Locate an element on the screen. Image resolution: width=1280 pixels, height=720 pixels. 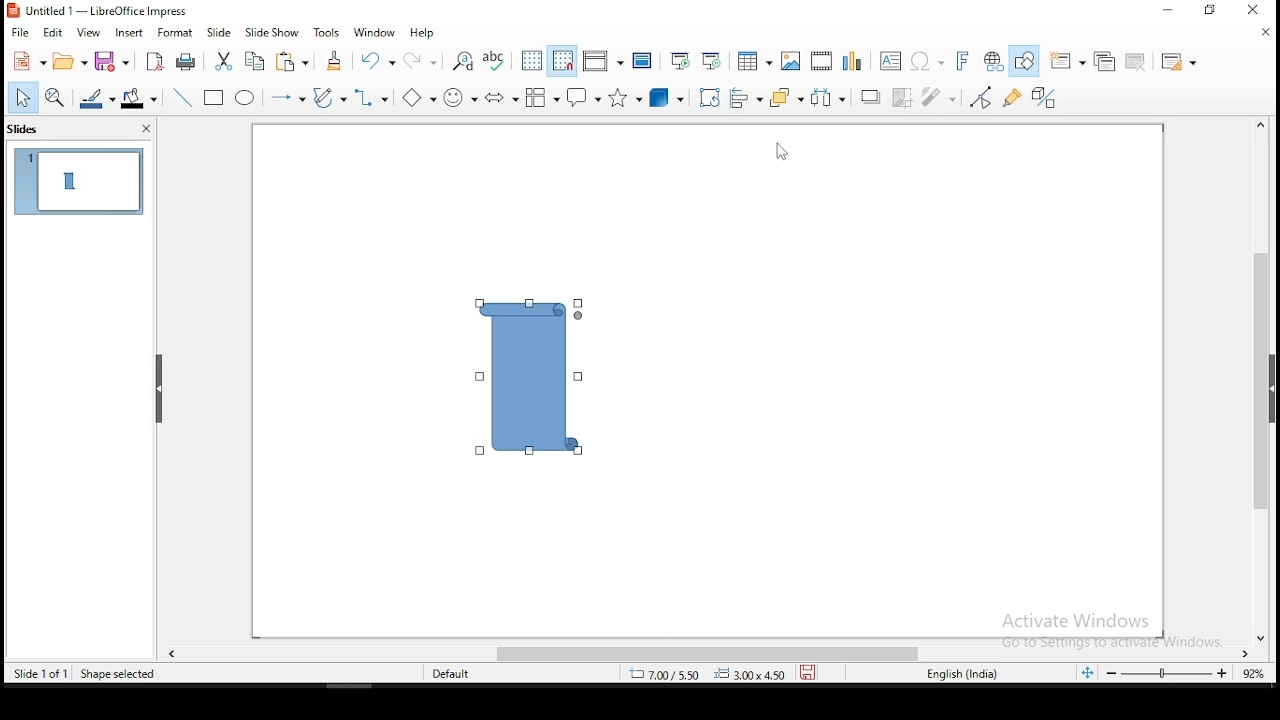
new slide is located at coordinates (1069, 59).